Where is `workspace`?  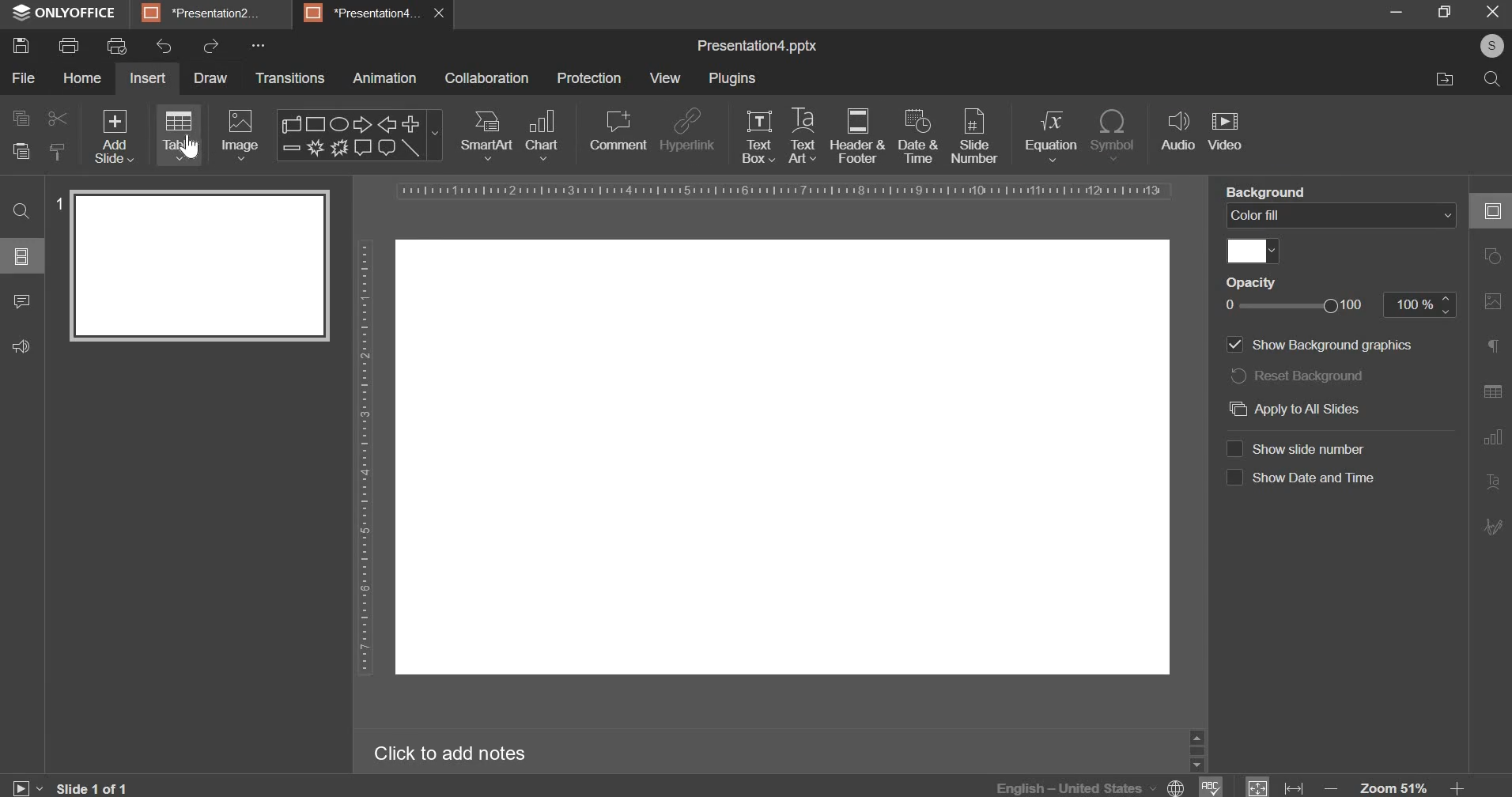
workspace is located at coordinates (784, 456).